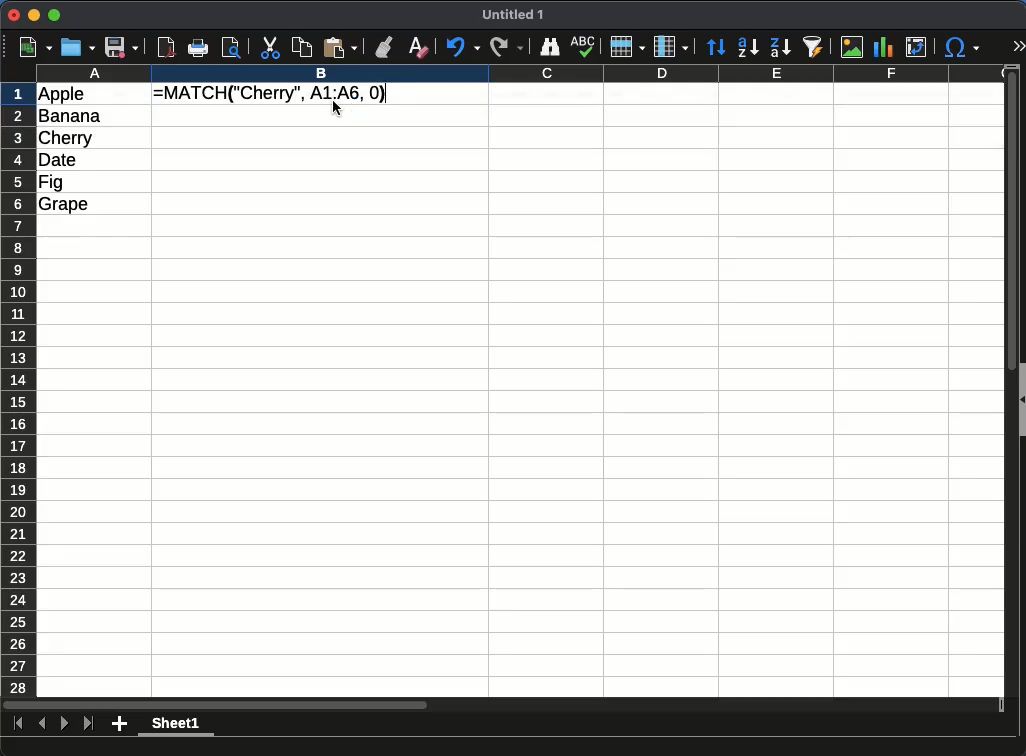  I want to click on Untitled 1, so click(513, 14).